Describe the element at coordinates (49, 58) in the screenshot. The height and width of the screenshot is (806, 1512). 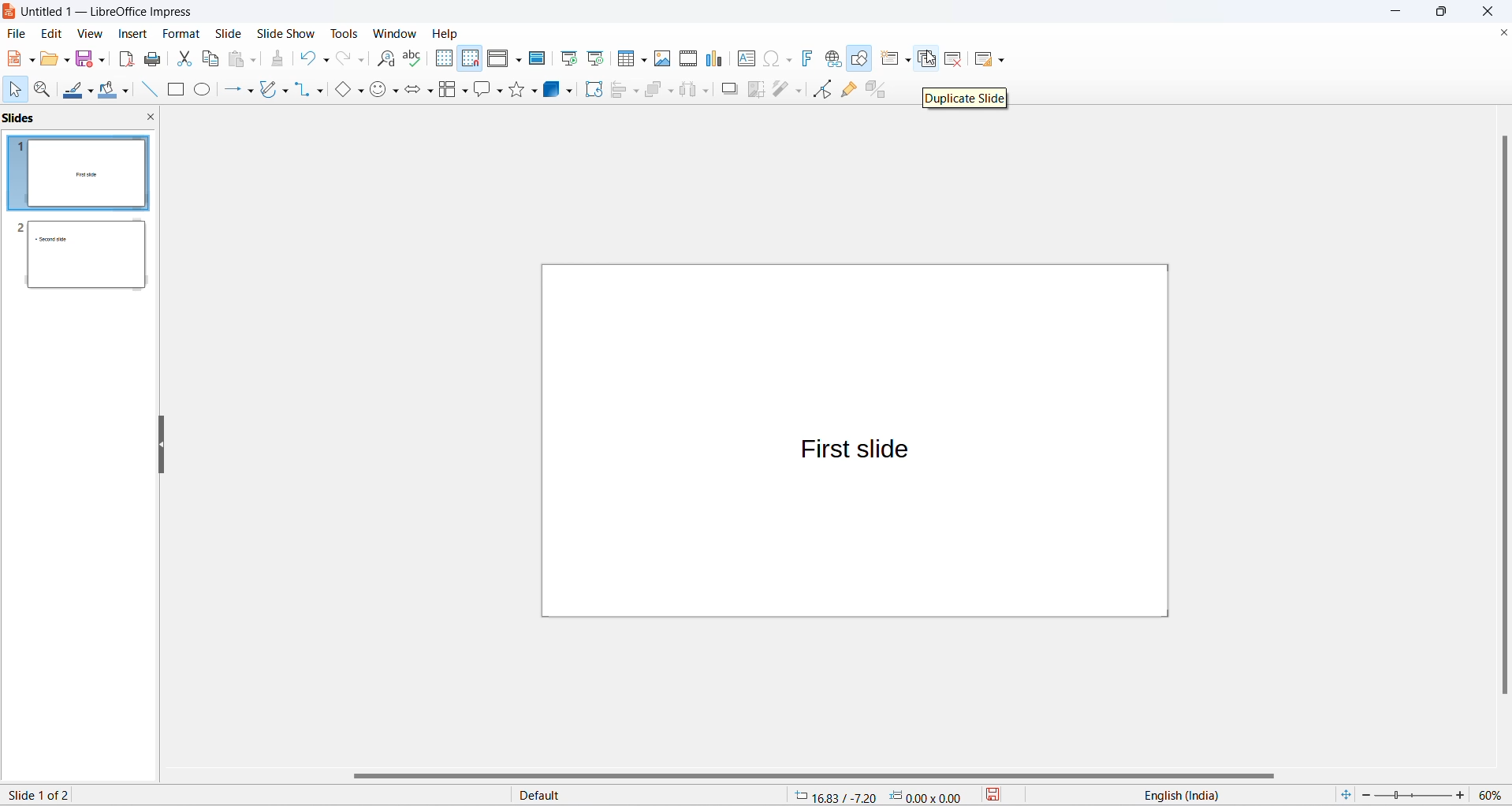
I see `open` at that location.